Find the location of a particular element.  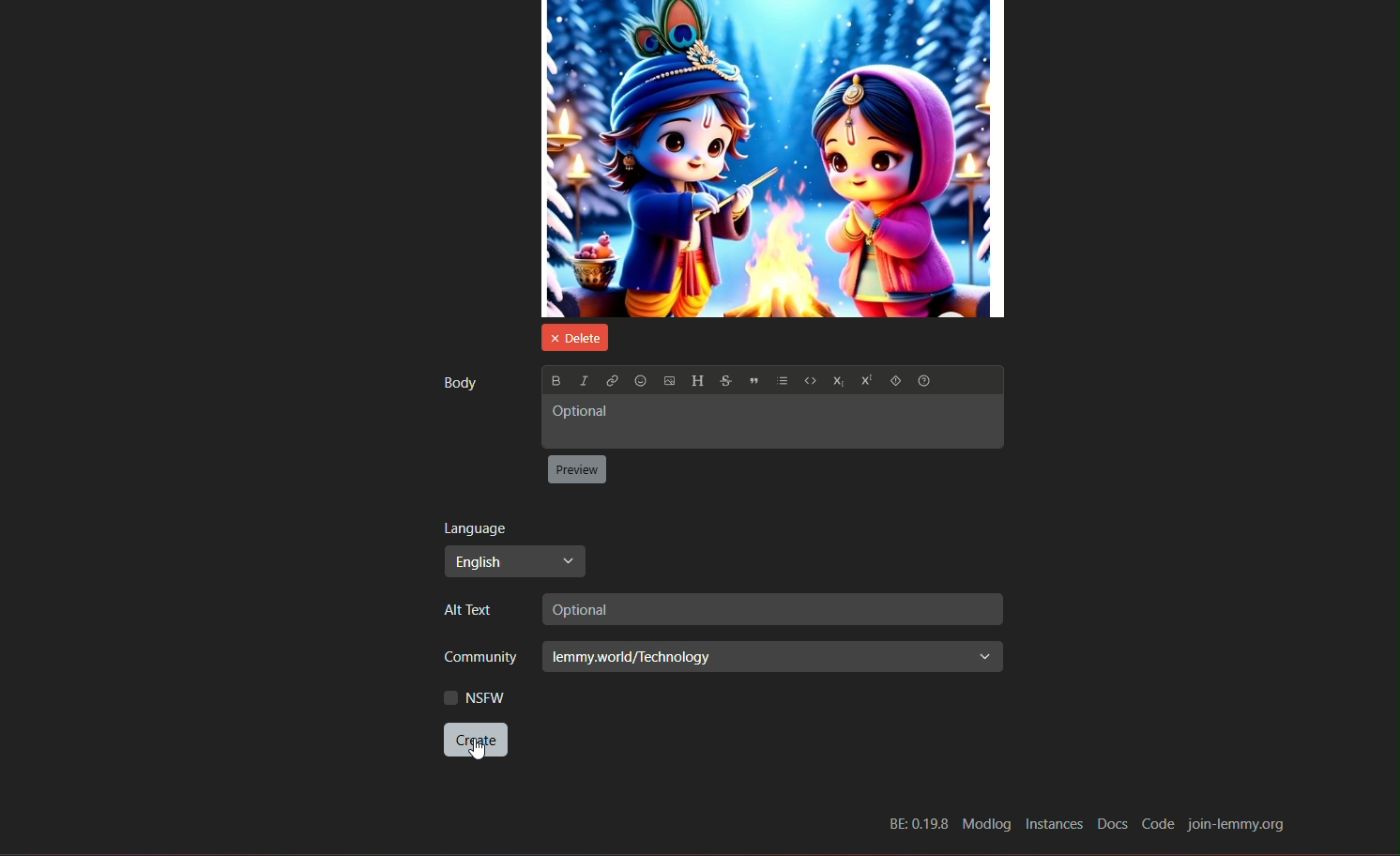

 is located at coordinates (809, 383).